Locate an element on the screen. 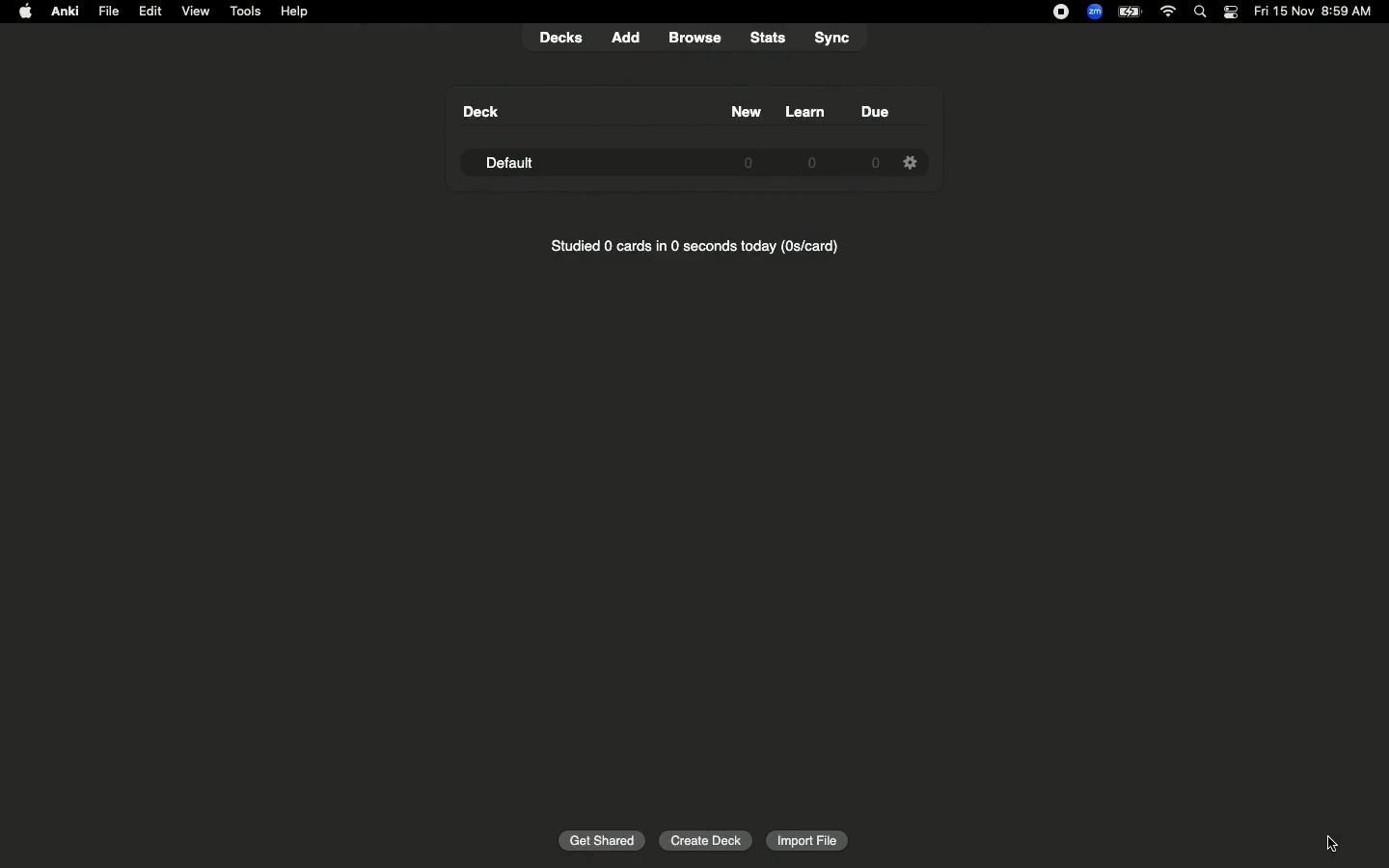 Image resolution: width=1389 pixels, height=868 pixels. decks is located at coordinates (561, 38).